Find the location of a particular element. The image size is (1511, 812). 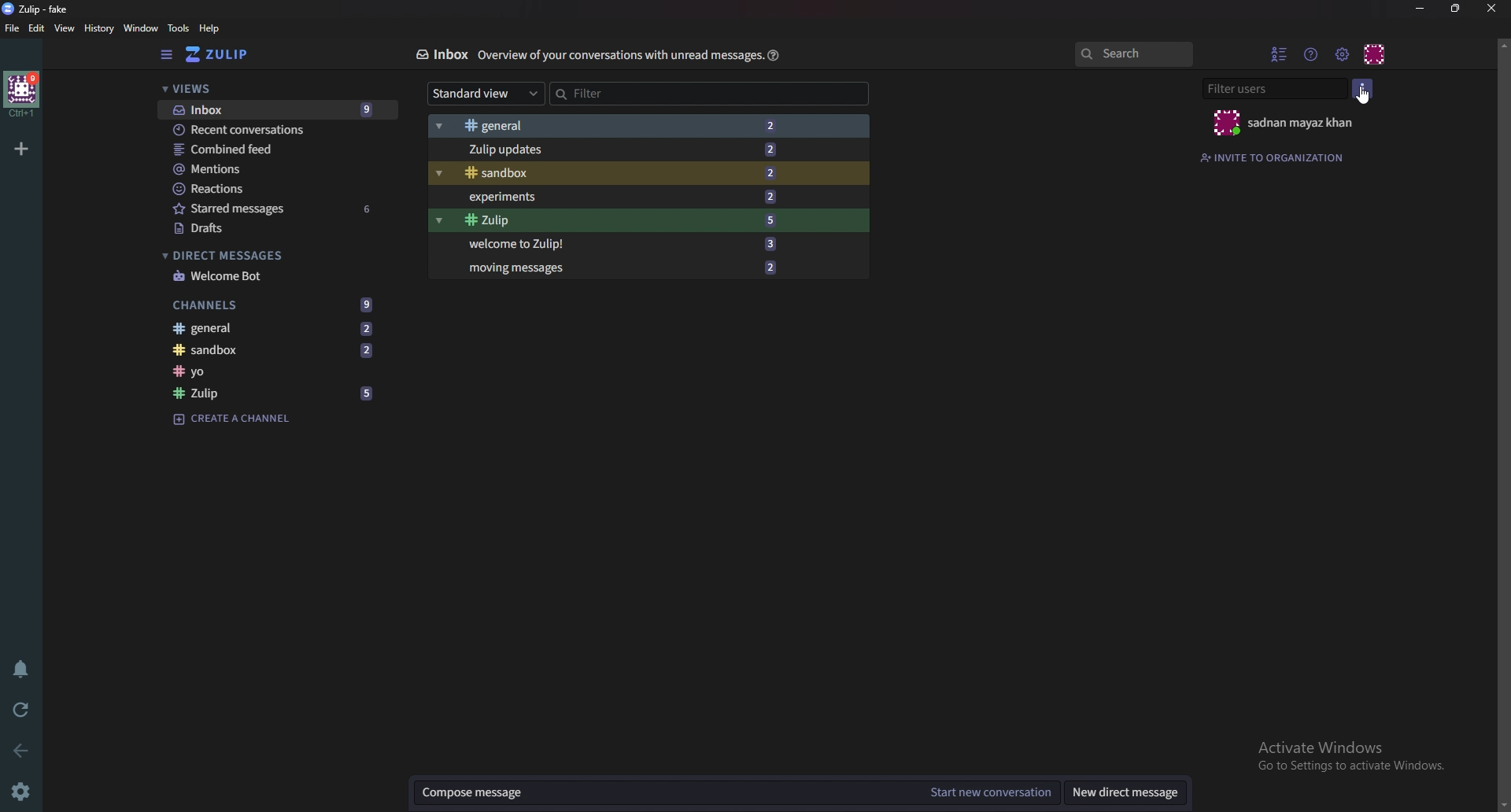

Standard view is located at coordinates (482, 93).